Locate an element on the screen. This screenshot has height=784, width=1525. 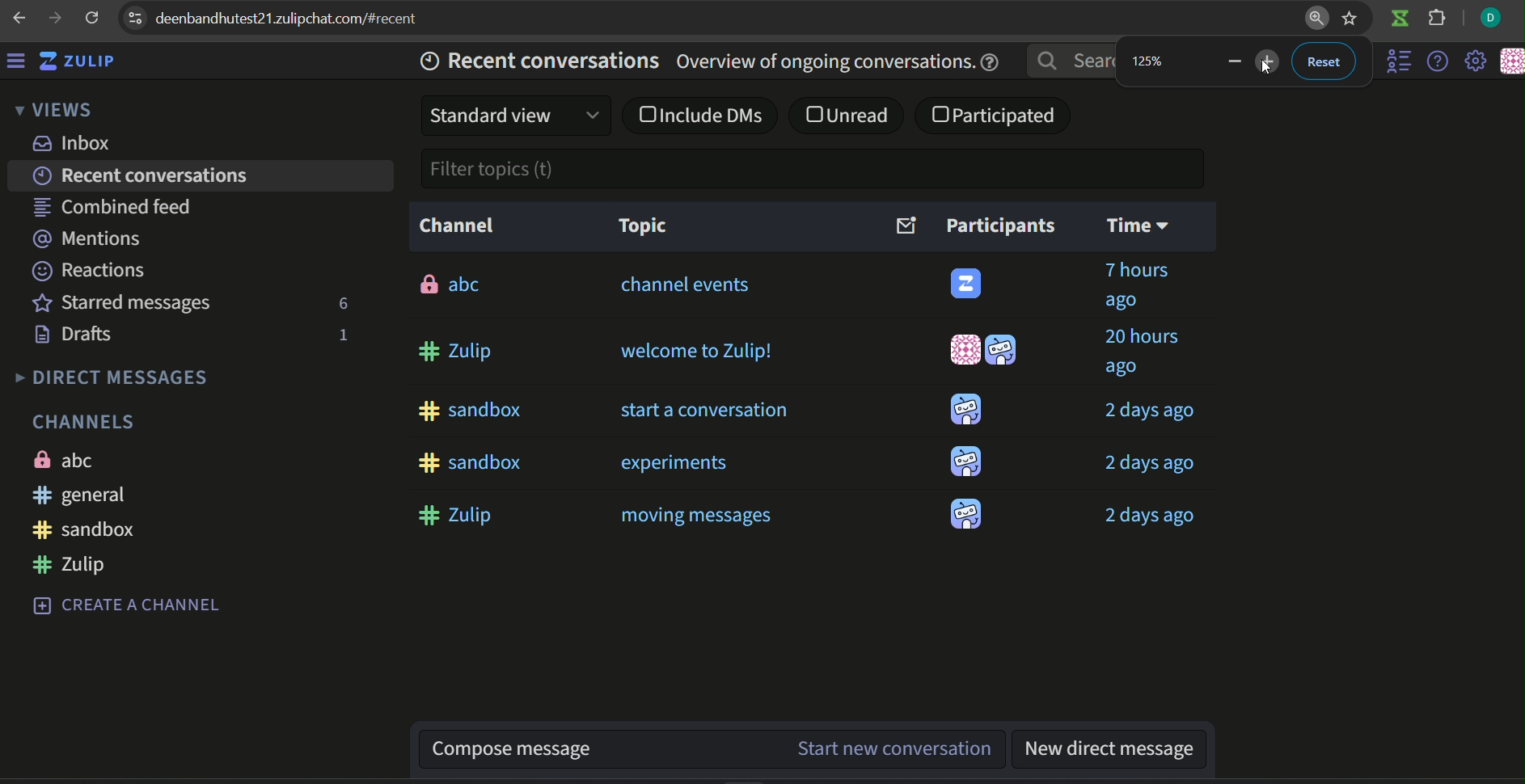
icon is located at coordinates (964, 351).